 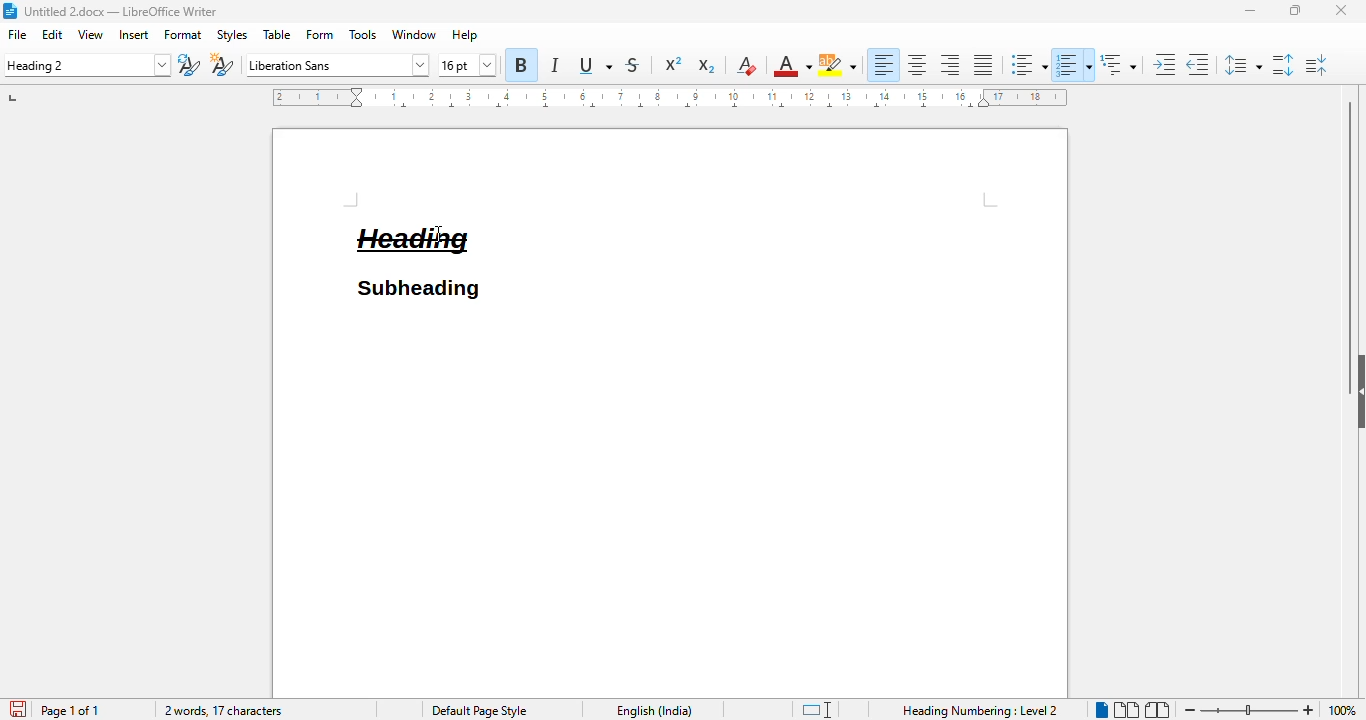 What do you see at coordinates (1295, 10) in the screenshot?
I see `maximize` at bounding box center [1295, 10].